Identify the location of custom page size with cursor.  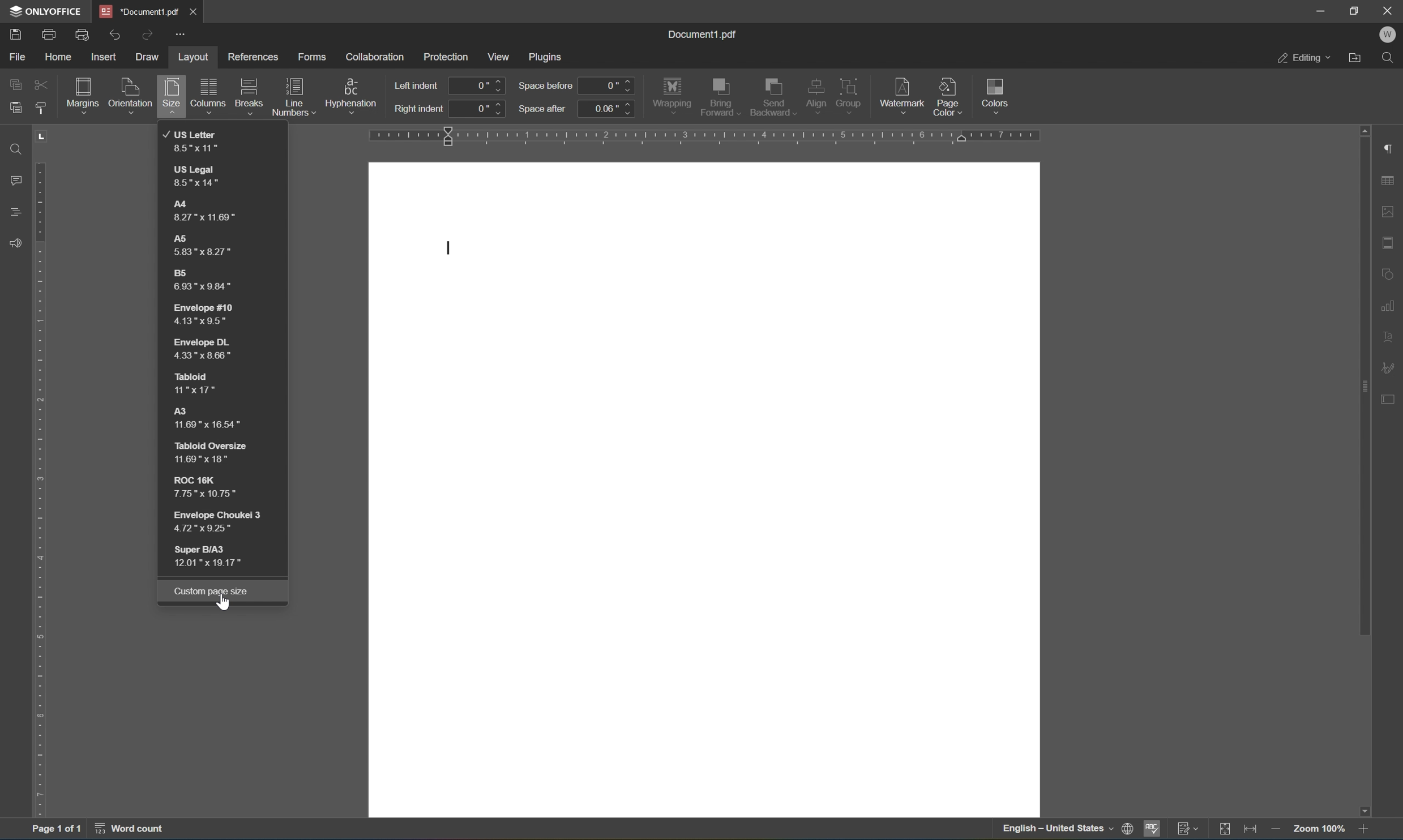
(212, 593).